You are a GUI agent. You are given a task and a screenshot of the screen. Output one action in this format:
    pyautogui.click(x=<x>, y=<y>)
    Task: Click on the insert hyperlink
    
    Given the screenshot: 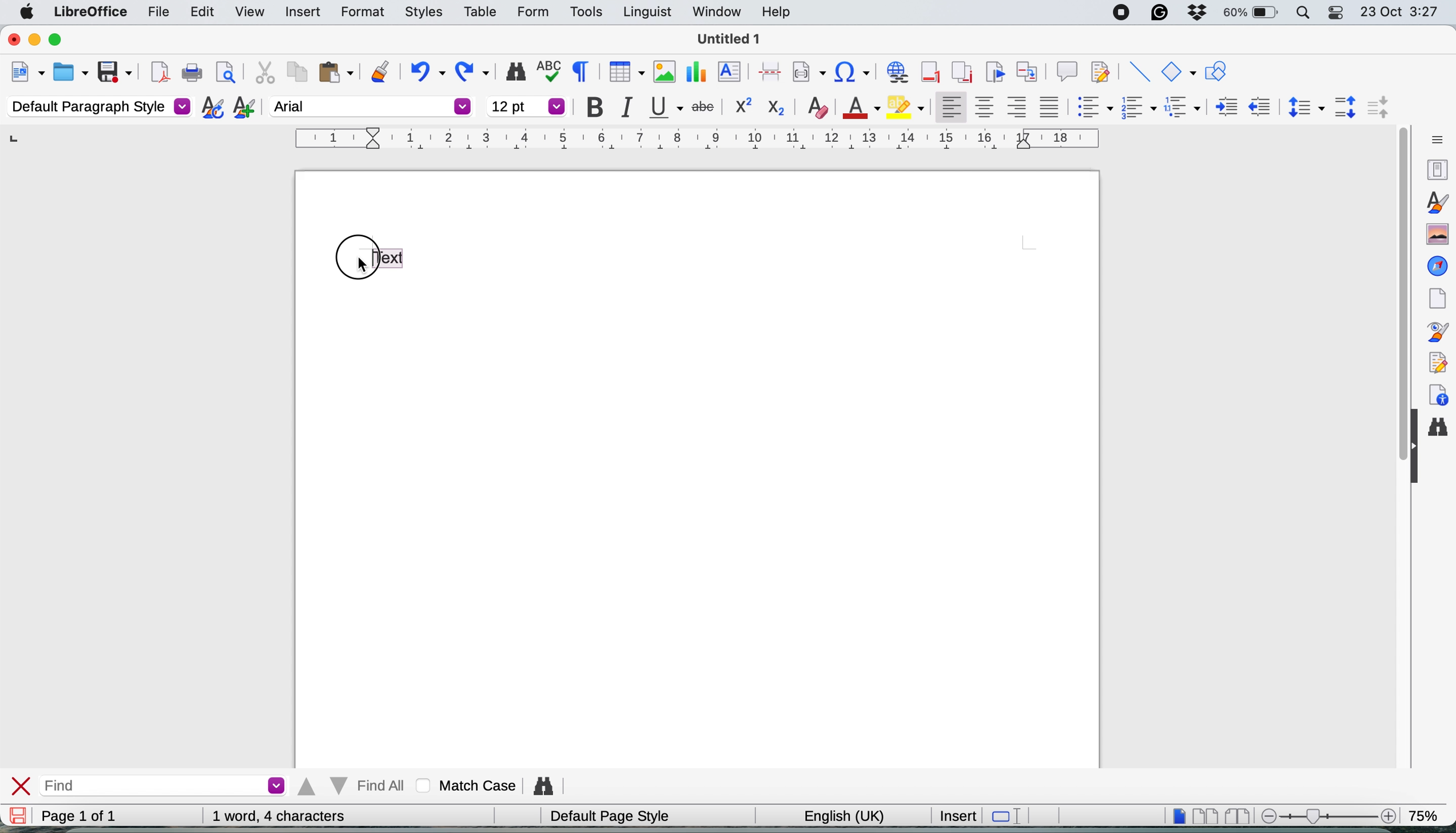 What is the action you would take?
    pyautogui.click(x=853, y=72)
    